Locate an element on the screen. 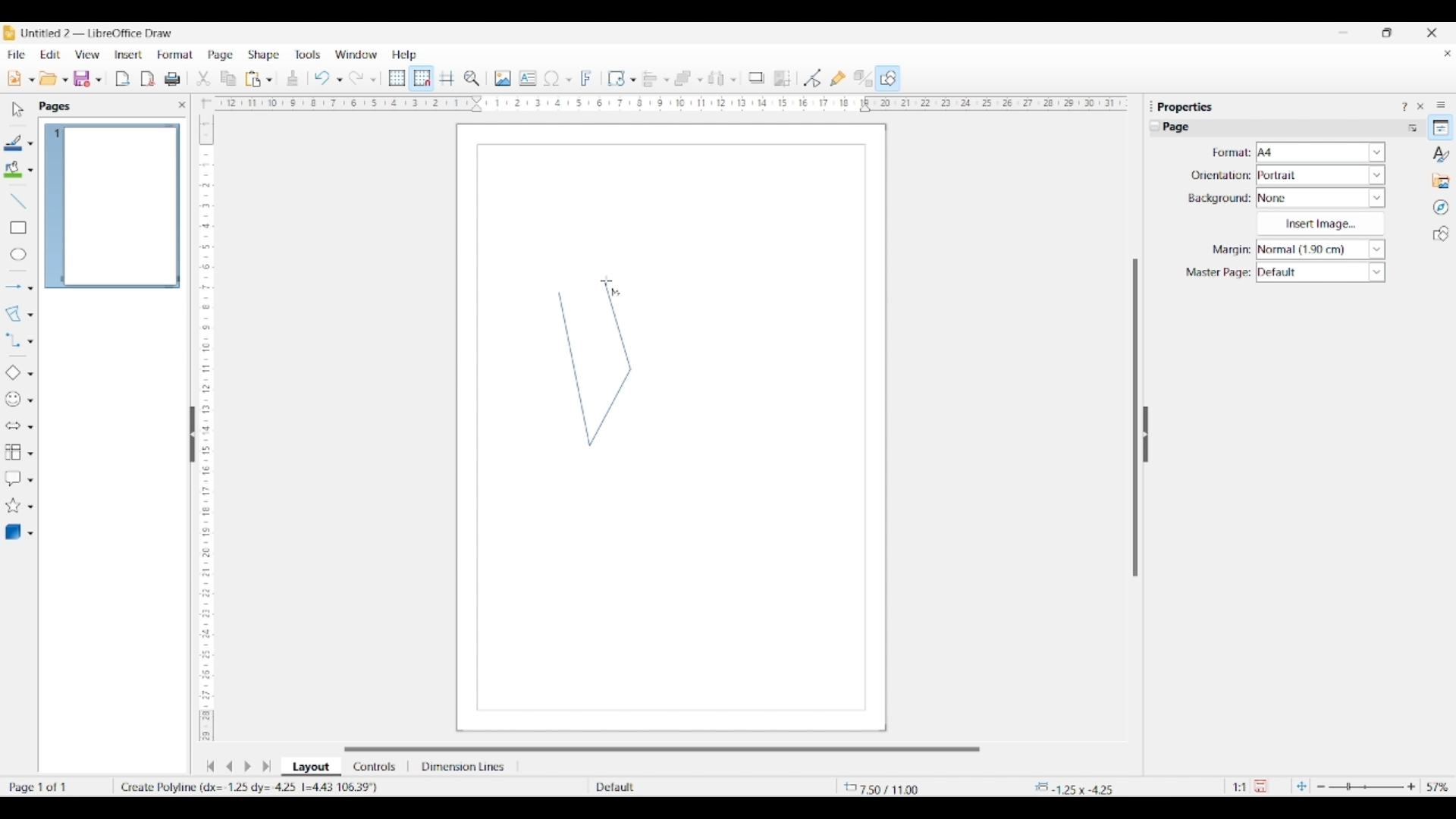  Format options is located at coordinates (1321, 152).